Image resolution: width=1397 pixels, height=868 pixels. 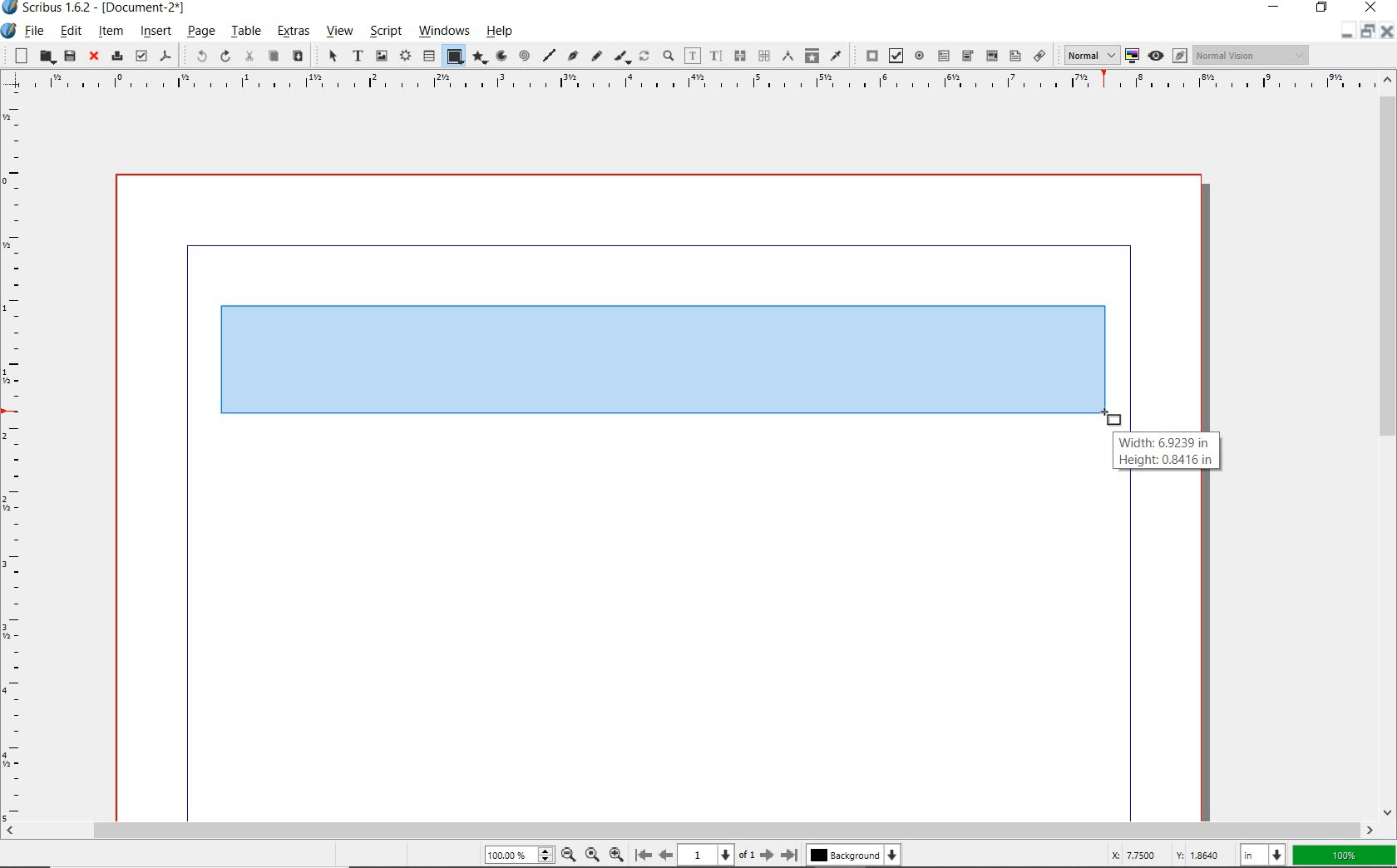 I want to click on edit text with story editor, so click(x=716, y=57).